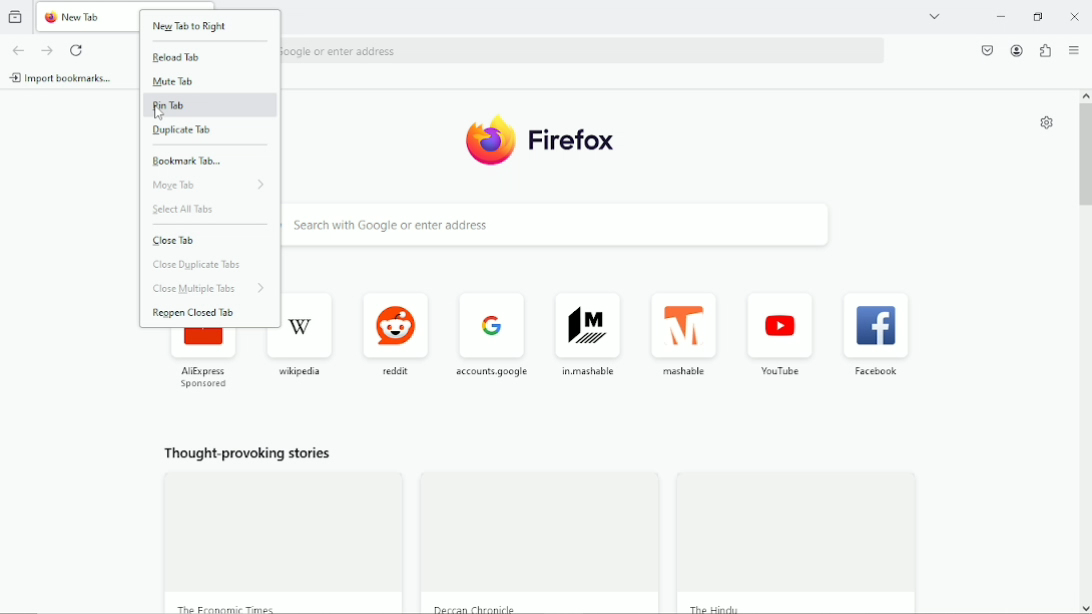 The image size is (1092, 614). What do you see at coordinates (1039, 18) in the screenshot?
I see `Restore down` at bounding box center [1039, 18].